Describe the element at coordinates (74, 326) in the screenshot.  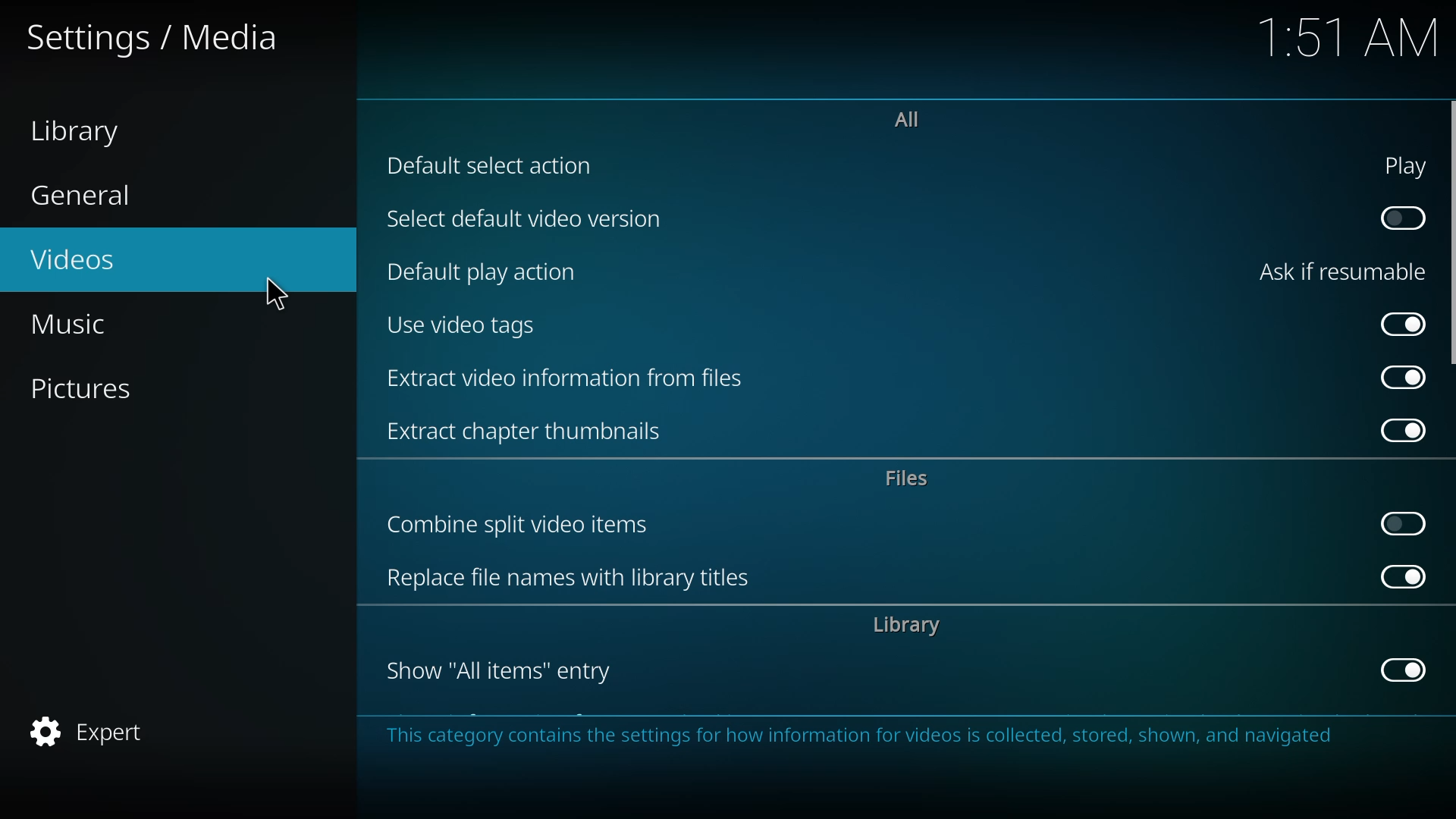
I see `music` at that location.